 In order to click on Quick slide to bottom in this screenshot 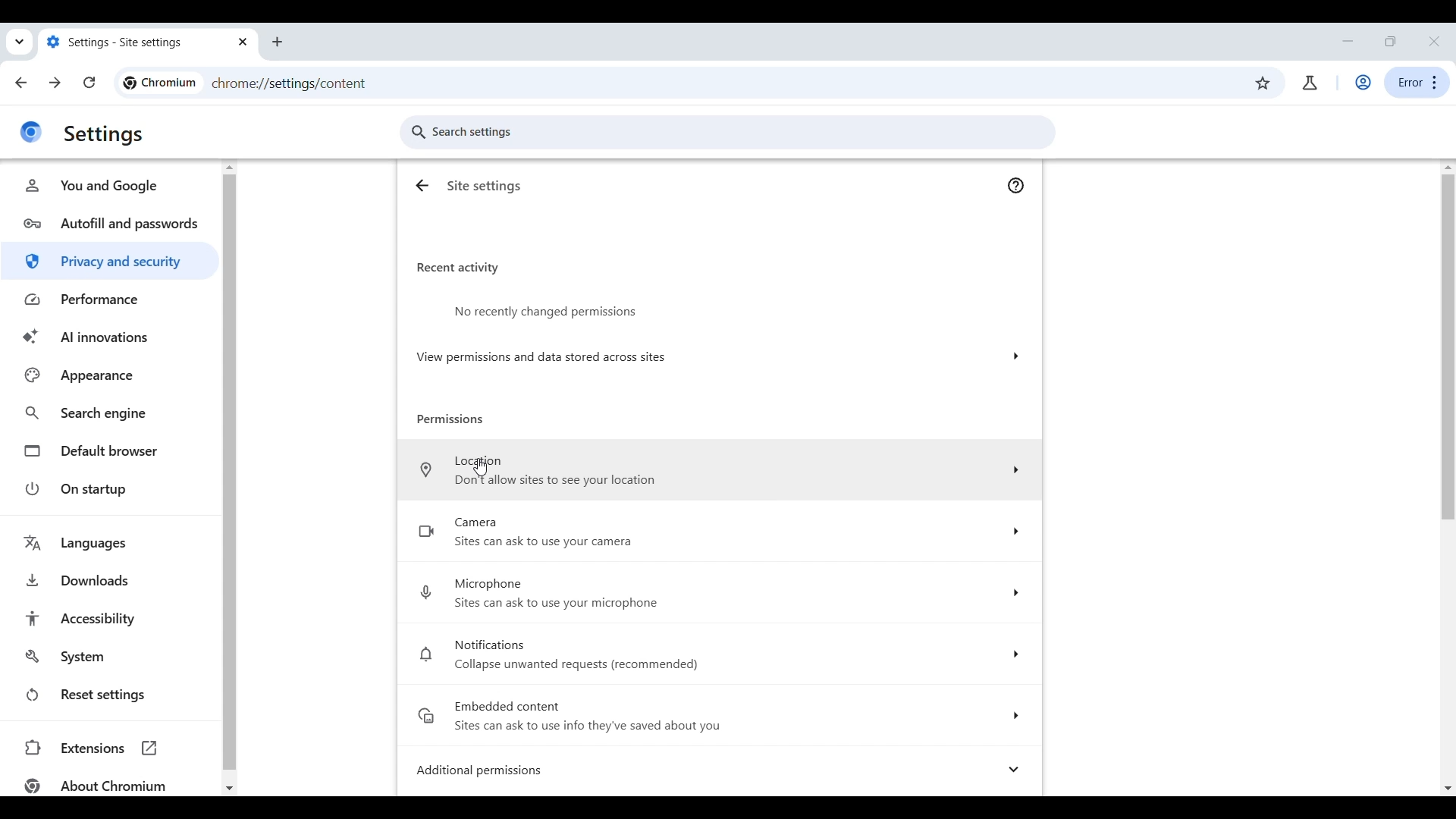, I will do `click(1448, 789)`.